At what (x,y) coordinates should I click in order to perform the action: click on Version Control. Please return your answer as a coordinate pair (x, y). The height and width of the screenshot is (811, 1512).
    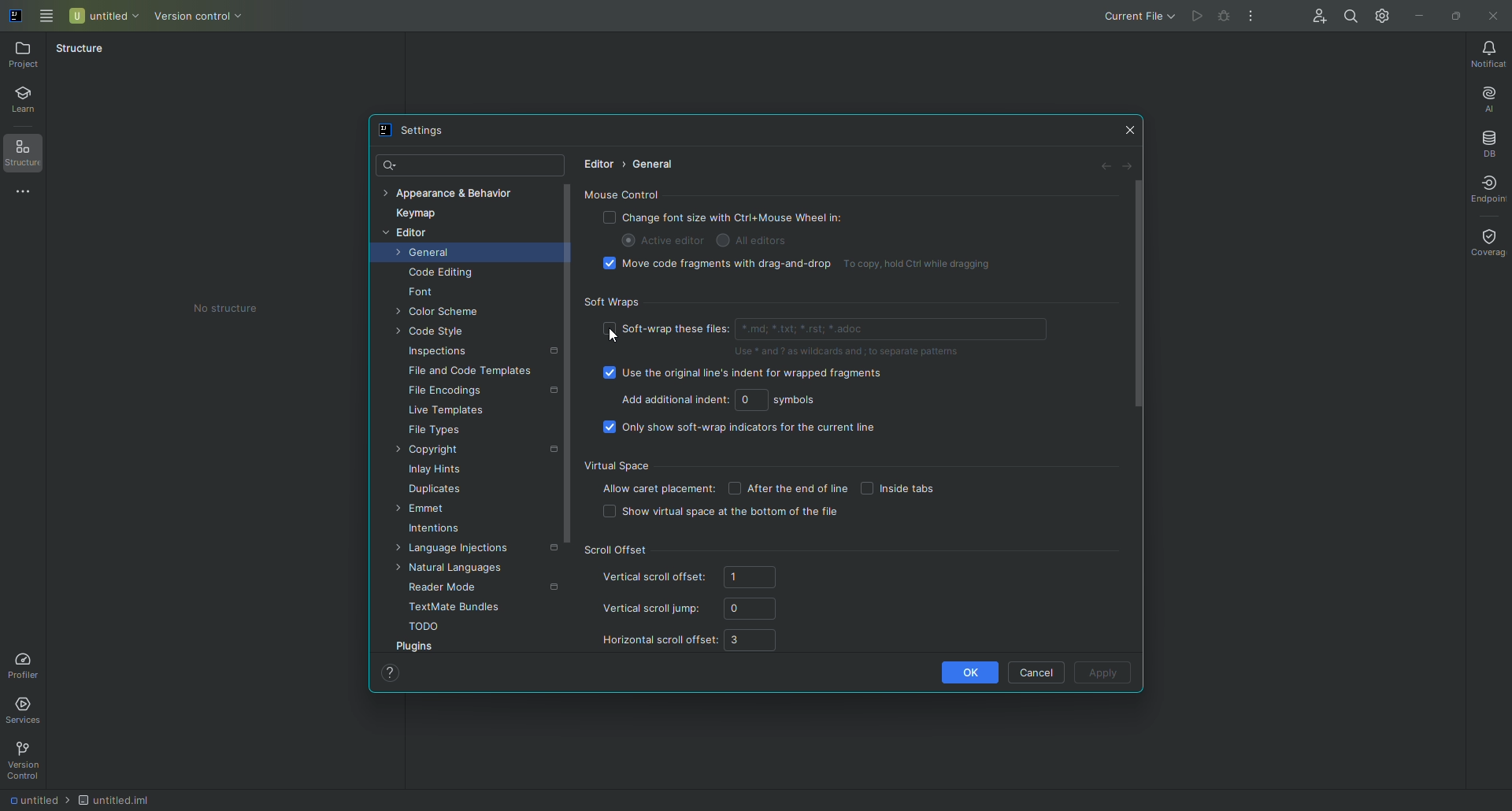
    Looking at the image, I should click on (28, 759).